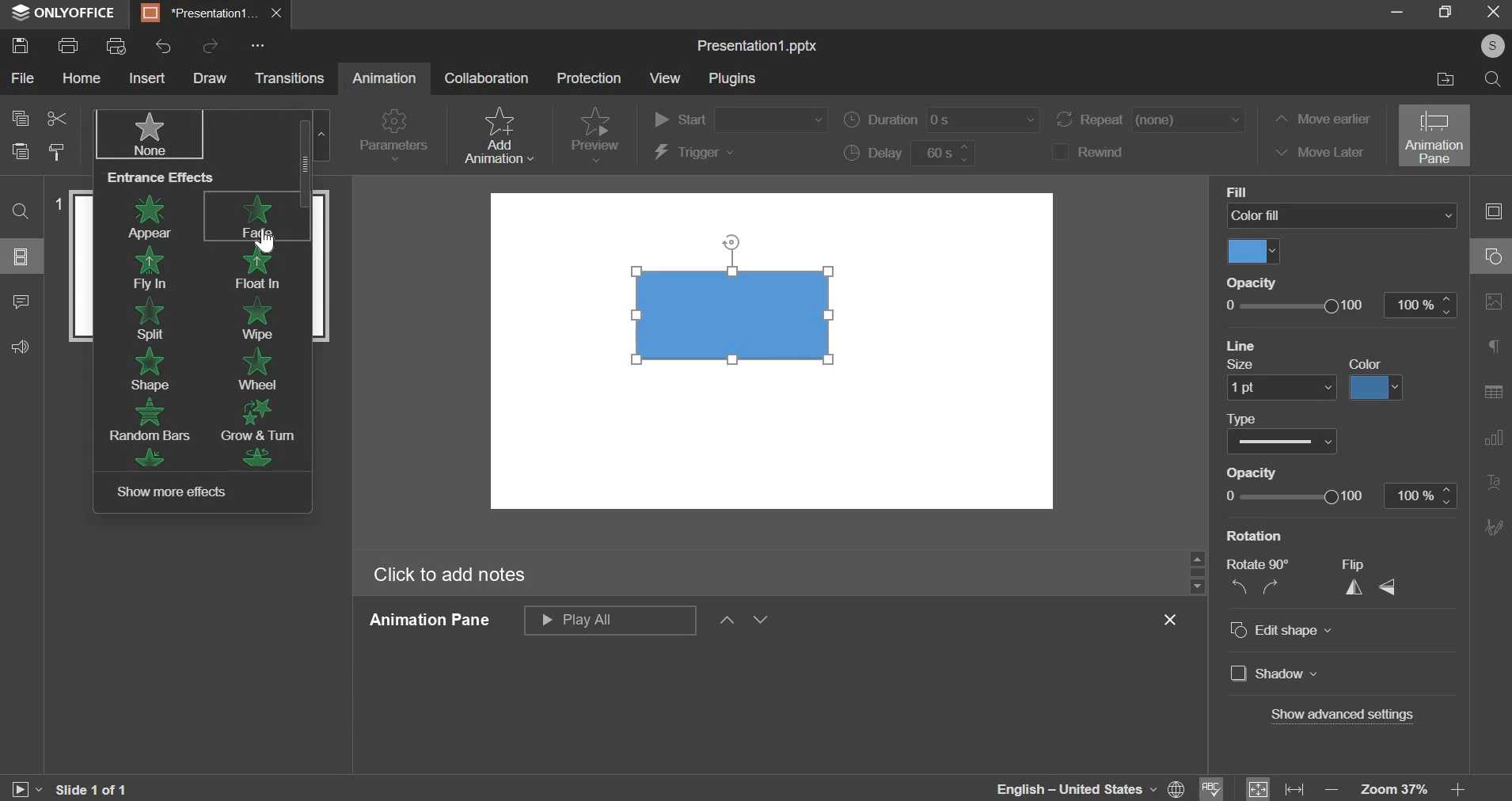 This screenshot has height=801, width=1512. I want to click on ..., so click(260, 44).